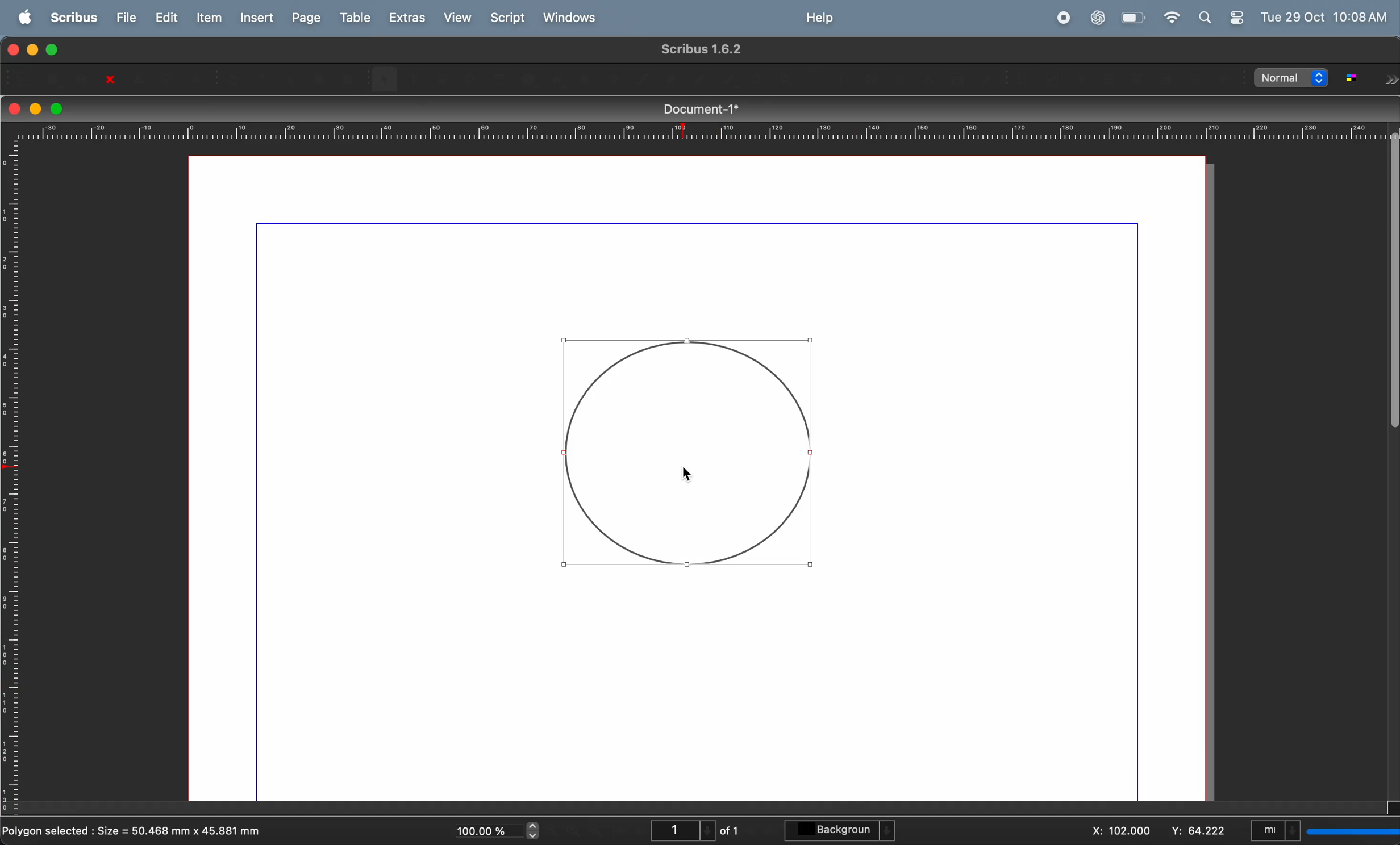 The height and width of the screenshot is (845, 1400). Describe the element at coordinates (14, 108) in the screenshot. I see `closing window` at that location.